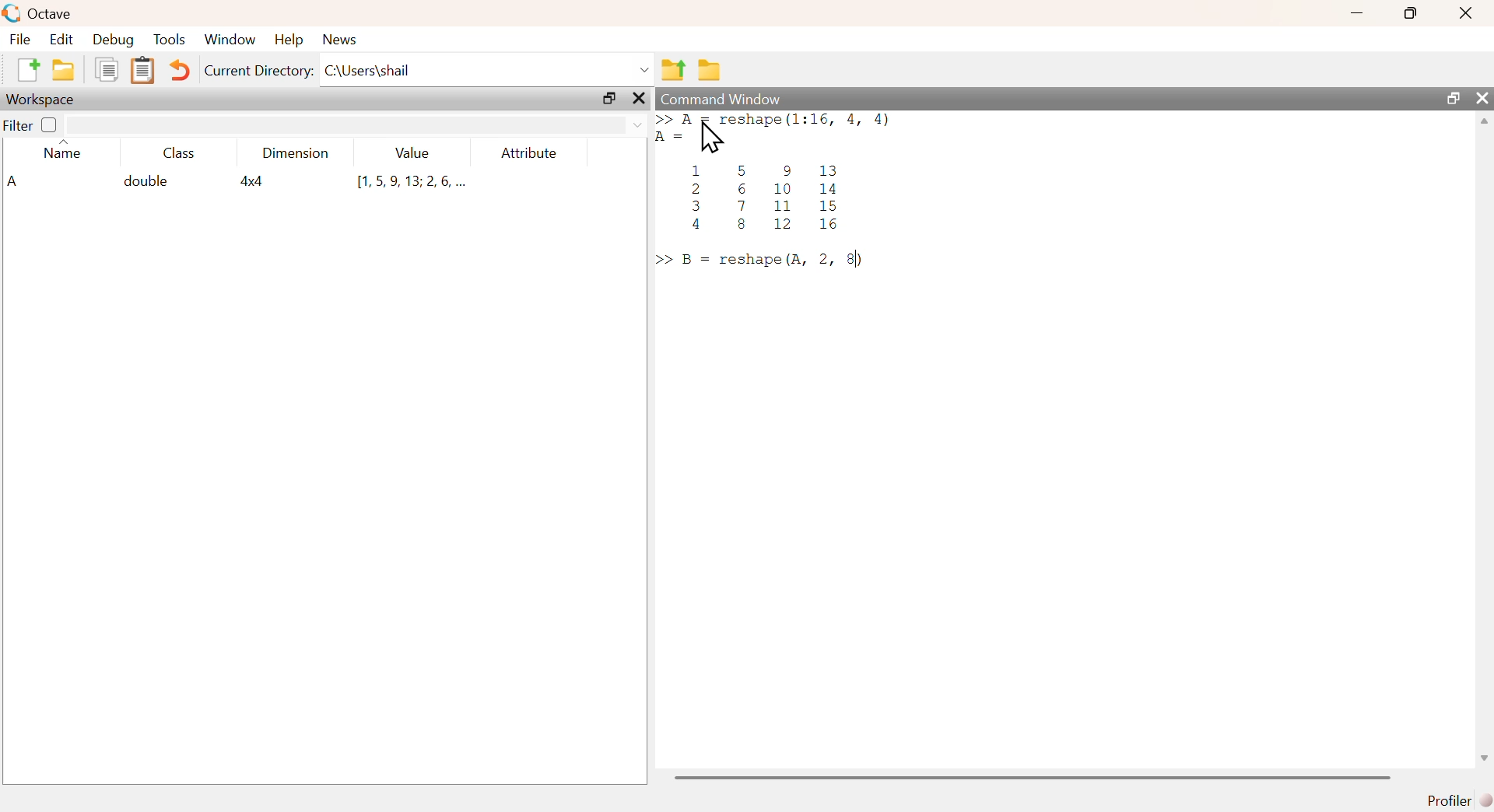 The height and width of the screenshot is (812, 1494). Describe the element at coordinates (142, 72) in the screenshot. I see `paste` at that location.